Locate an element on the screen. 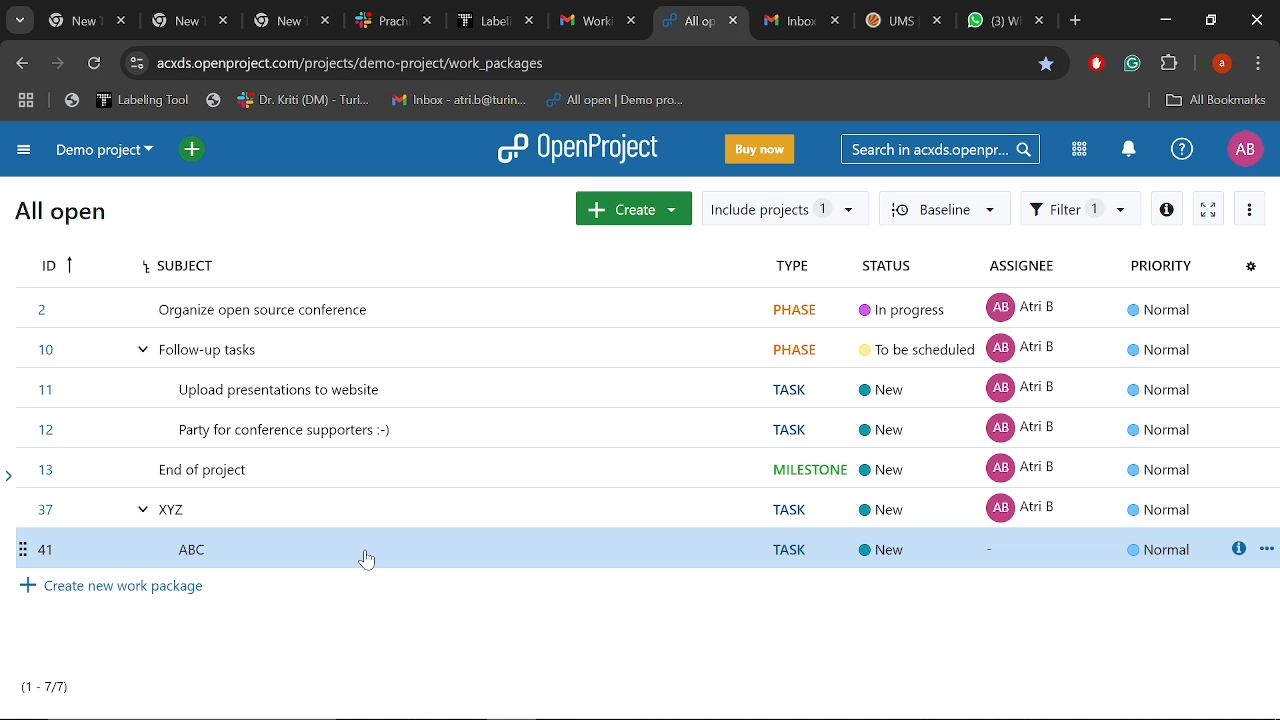 The image size is (1280, 720). Profile is located at coordinates (1224, 63).